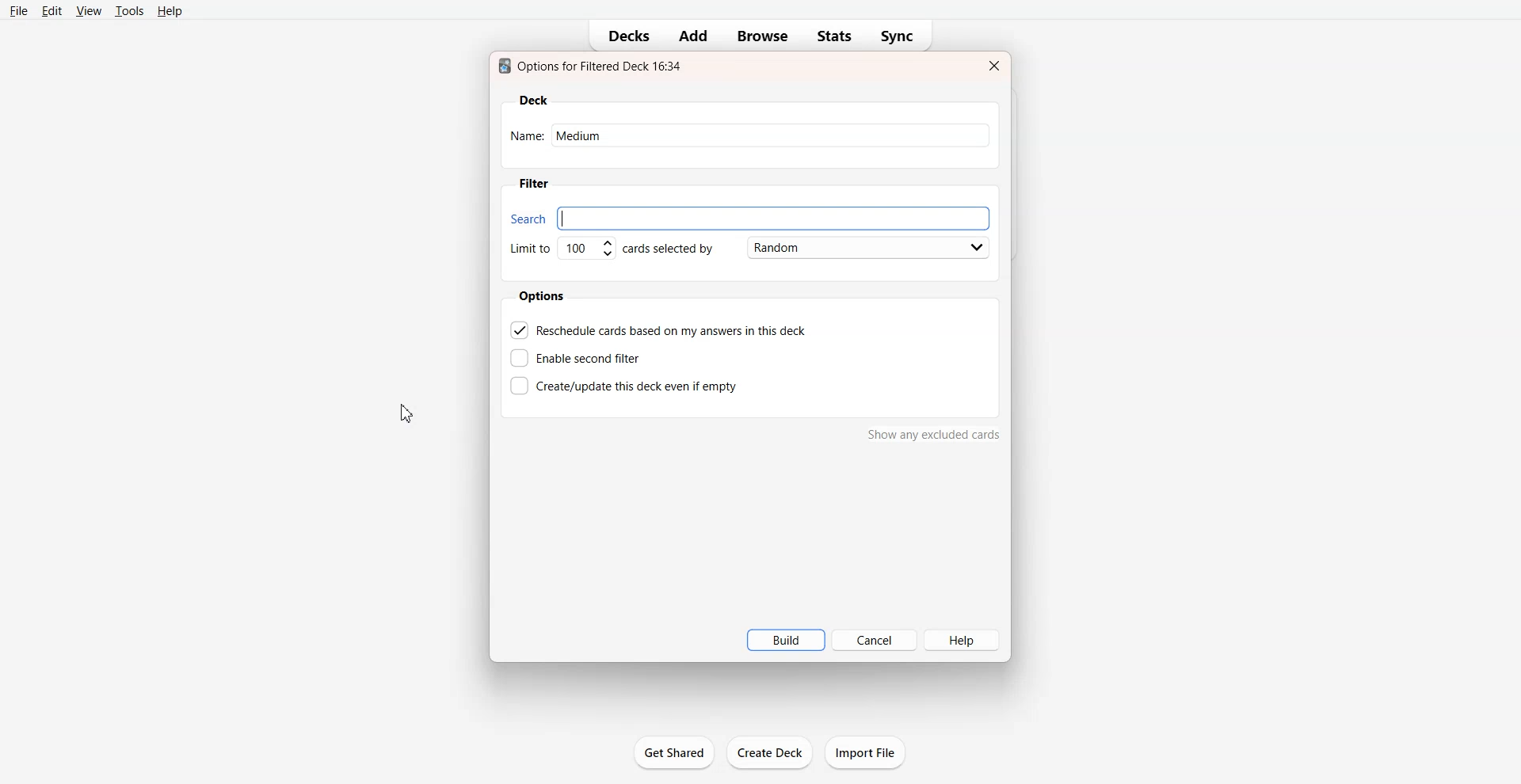  Describe the element at coordinates (810, 247) in the screenshot. I see `Card Selected by Random` at that location.